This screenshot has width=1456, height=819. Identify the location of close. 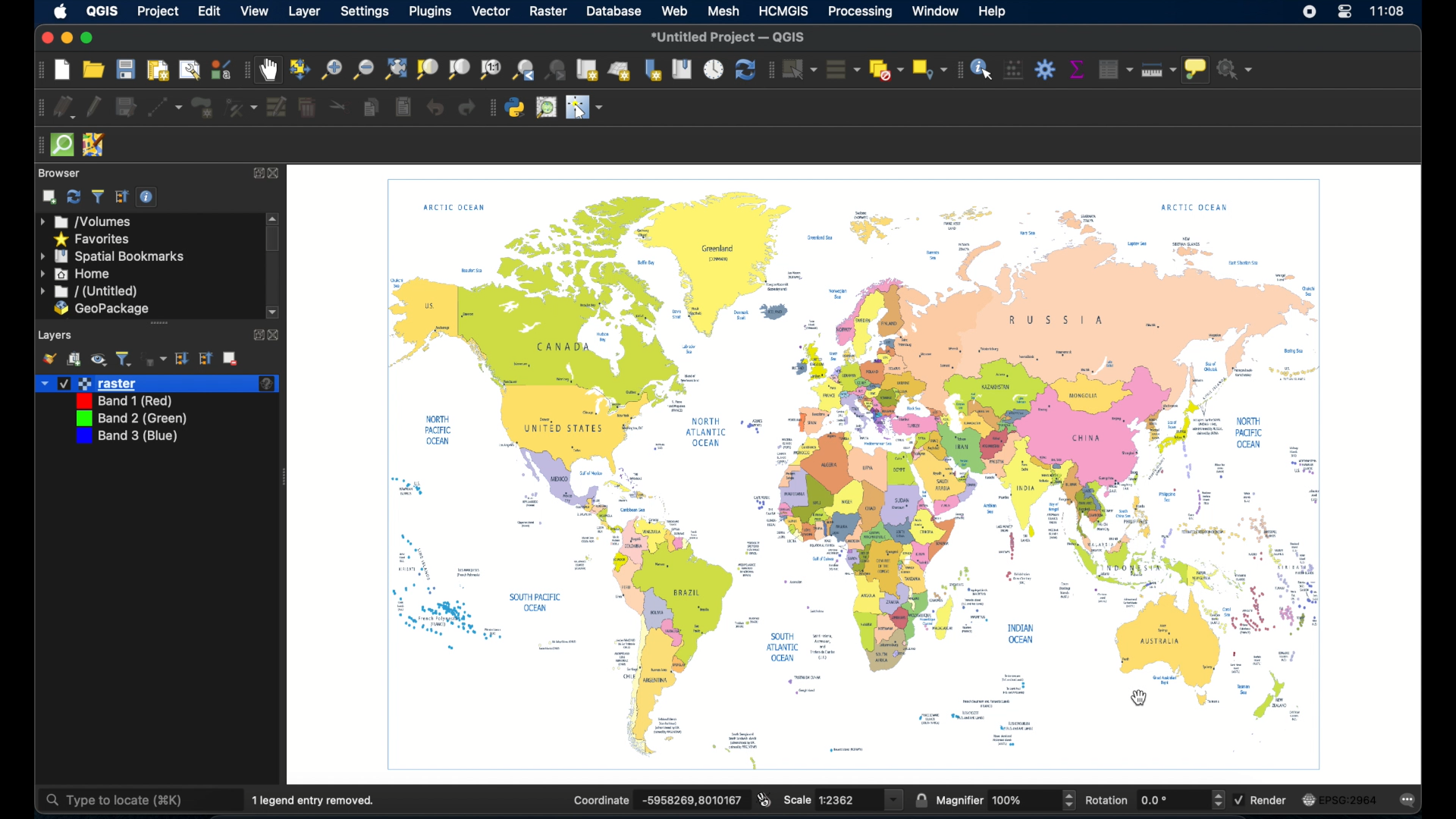
(44, 39).